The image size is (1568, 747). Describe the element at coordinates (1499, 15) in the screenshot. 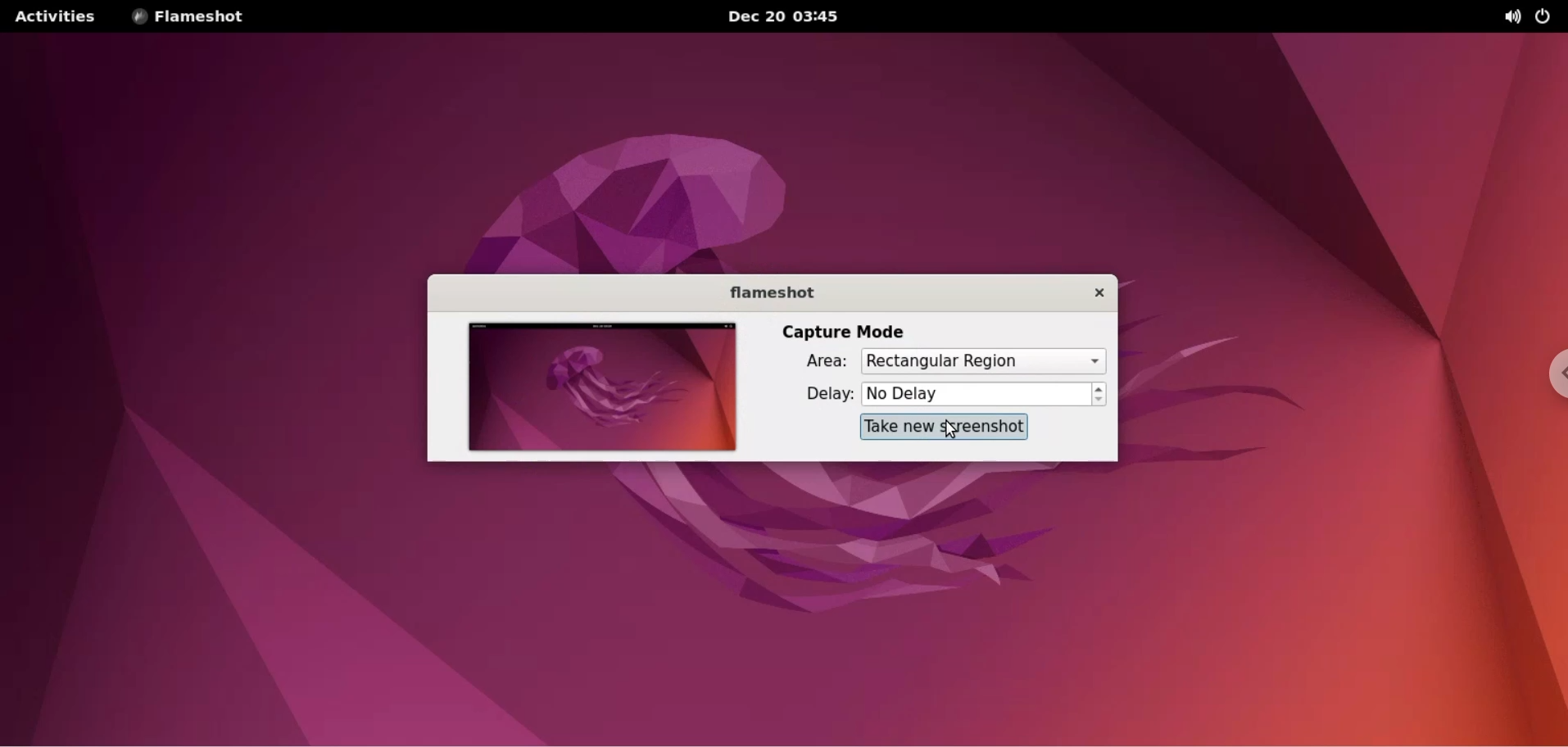

I see `sound settings` at that location.